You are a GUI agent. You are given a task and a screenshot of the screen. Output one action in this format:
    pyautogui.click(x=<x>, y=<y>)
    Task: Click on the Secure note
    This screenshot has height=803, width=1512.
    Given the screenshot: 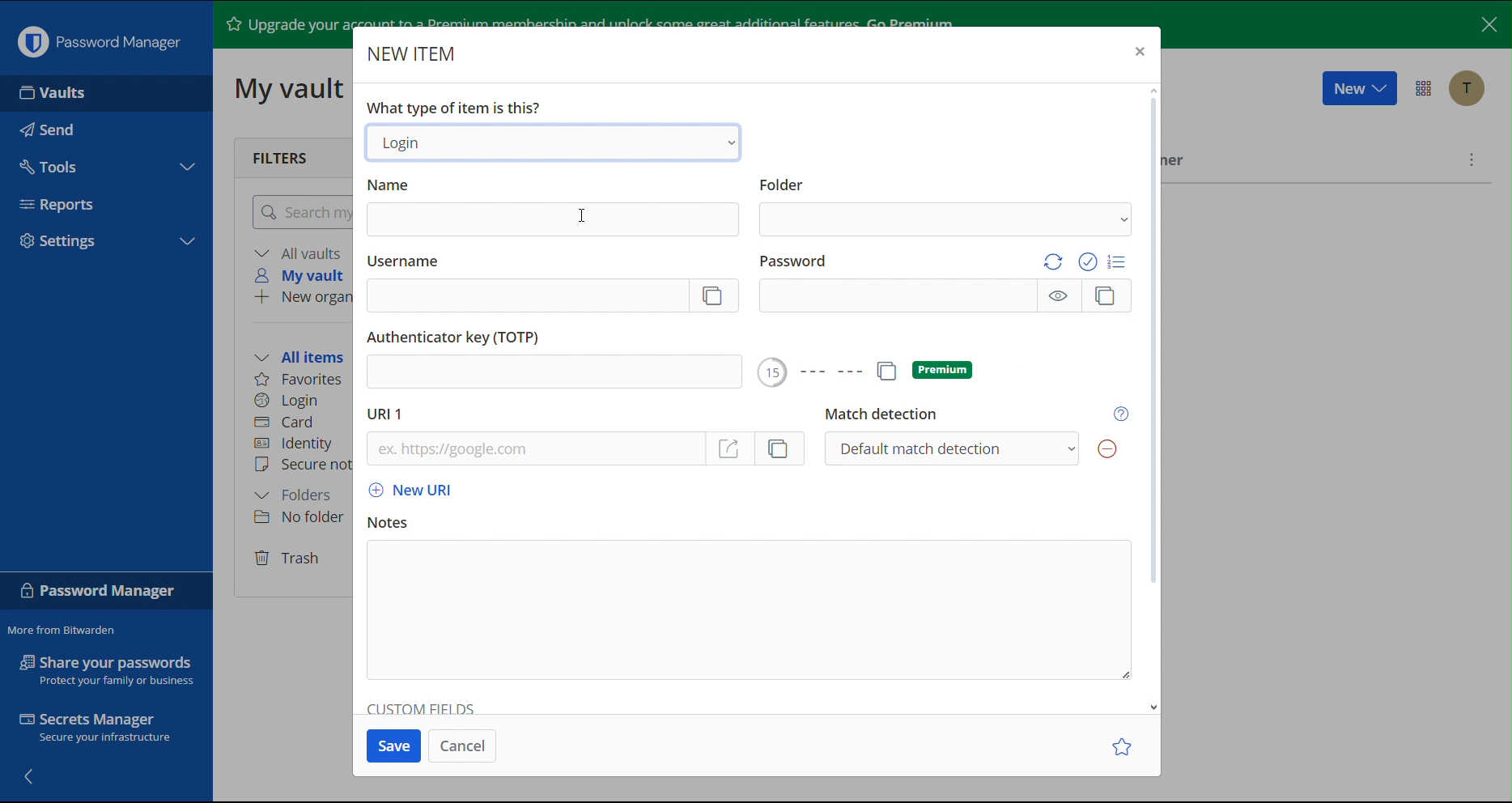 What is the action you would take?
    pyautogui.click(x=302, y=462)
    